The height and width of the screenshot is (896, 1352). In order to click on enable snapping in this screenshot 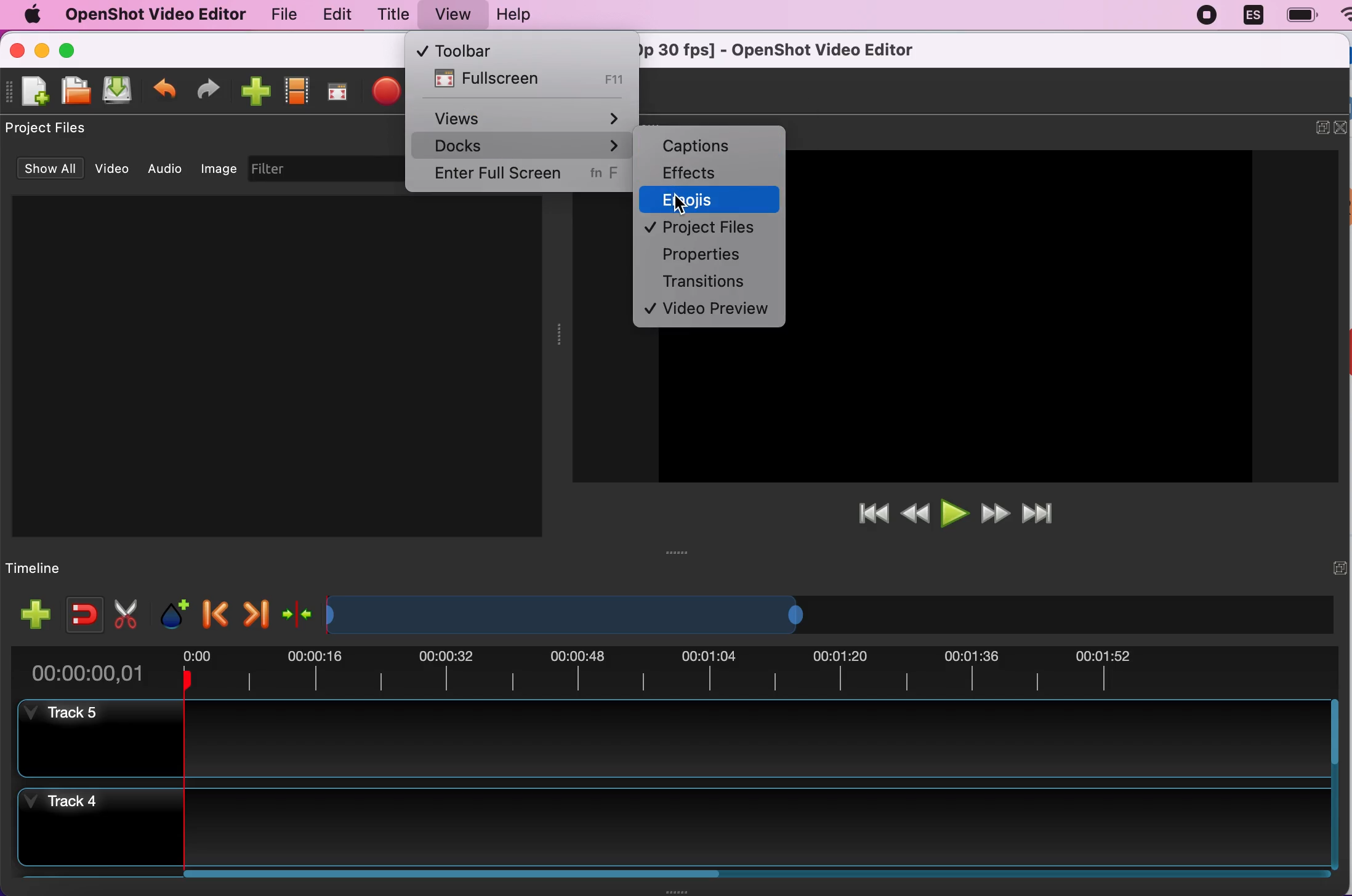, I will do `click(80, 610)`.